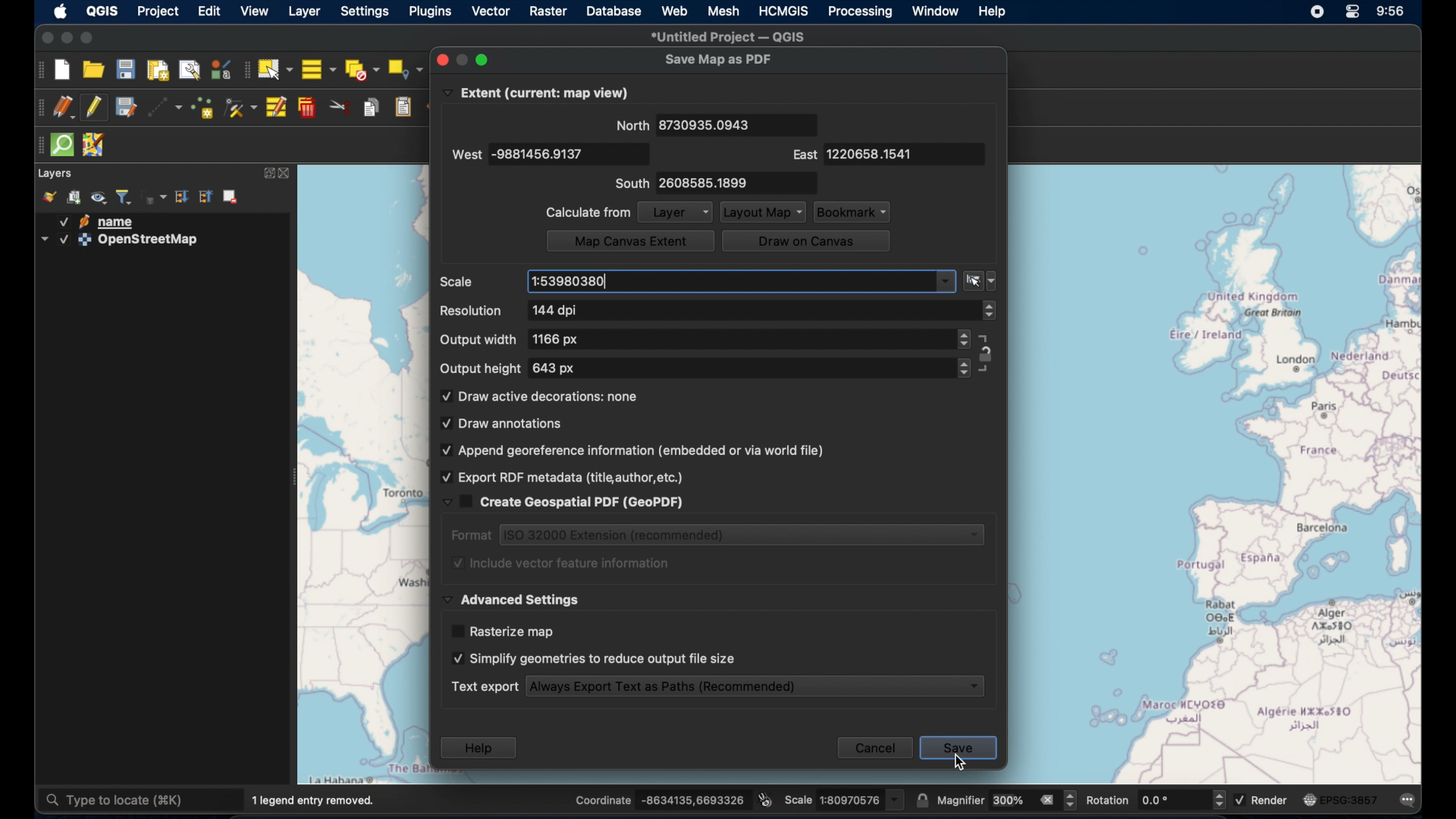 The height and width of the screenshot is (819, 1456). I want to click on messages, so click(1410, 801).